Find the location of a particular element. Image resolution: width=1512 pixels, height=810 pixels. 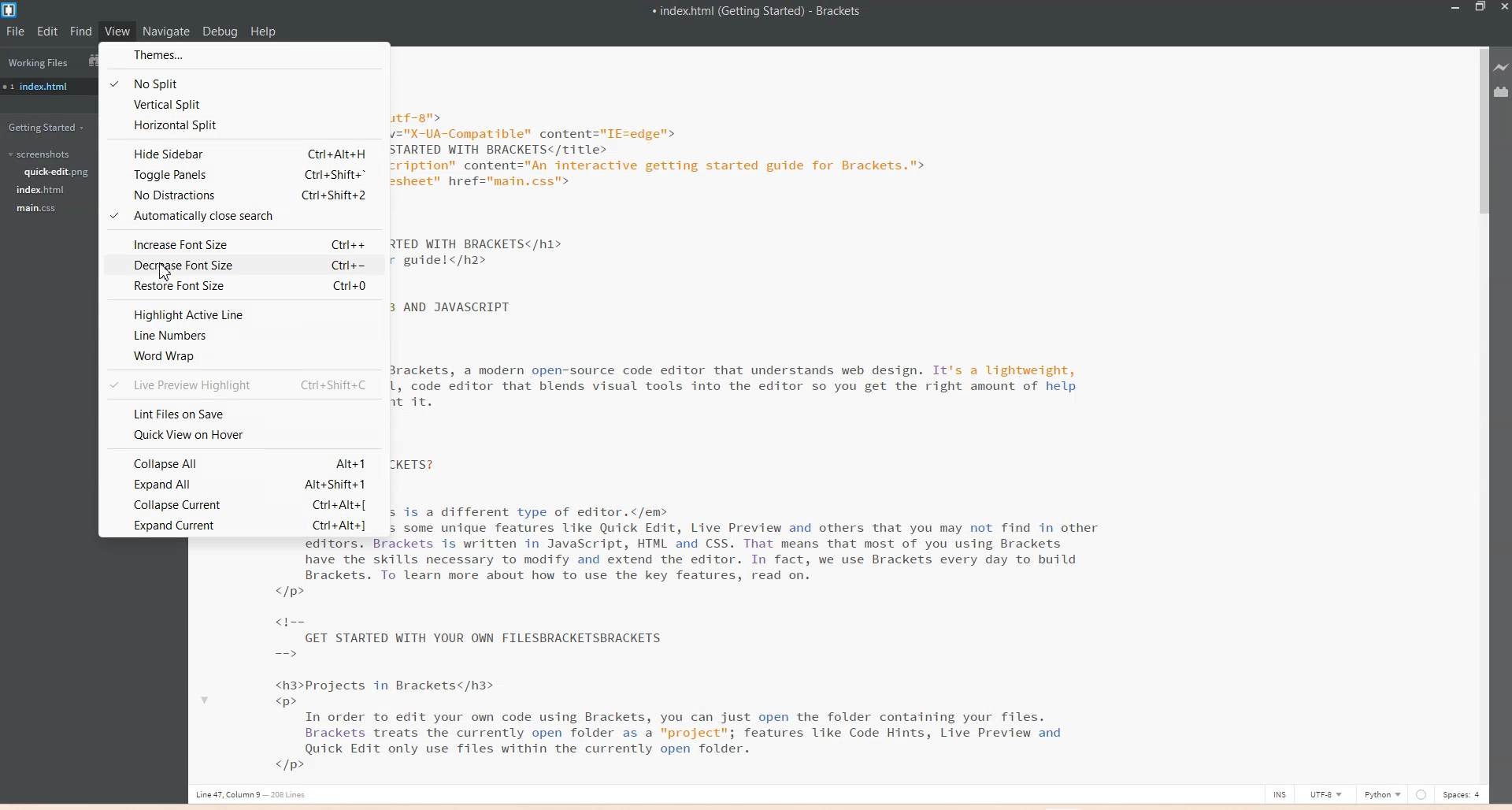

Word Wrap is located at coordinates (244, 358).